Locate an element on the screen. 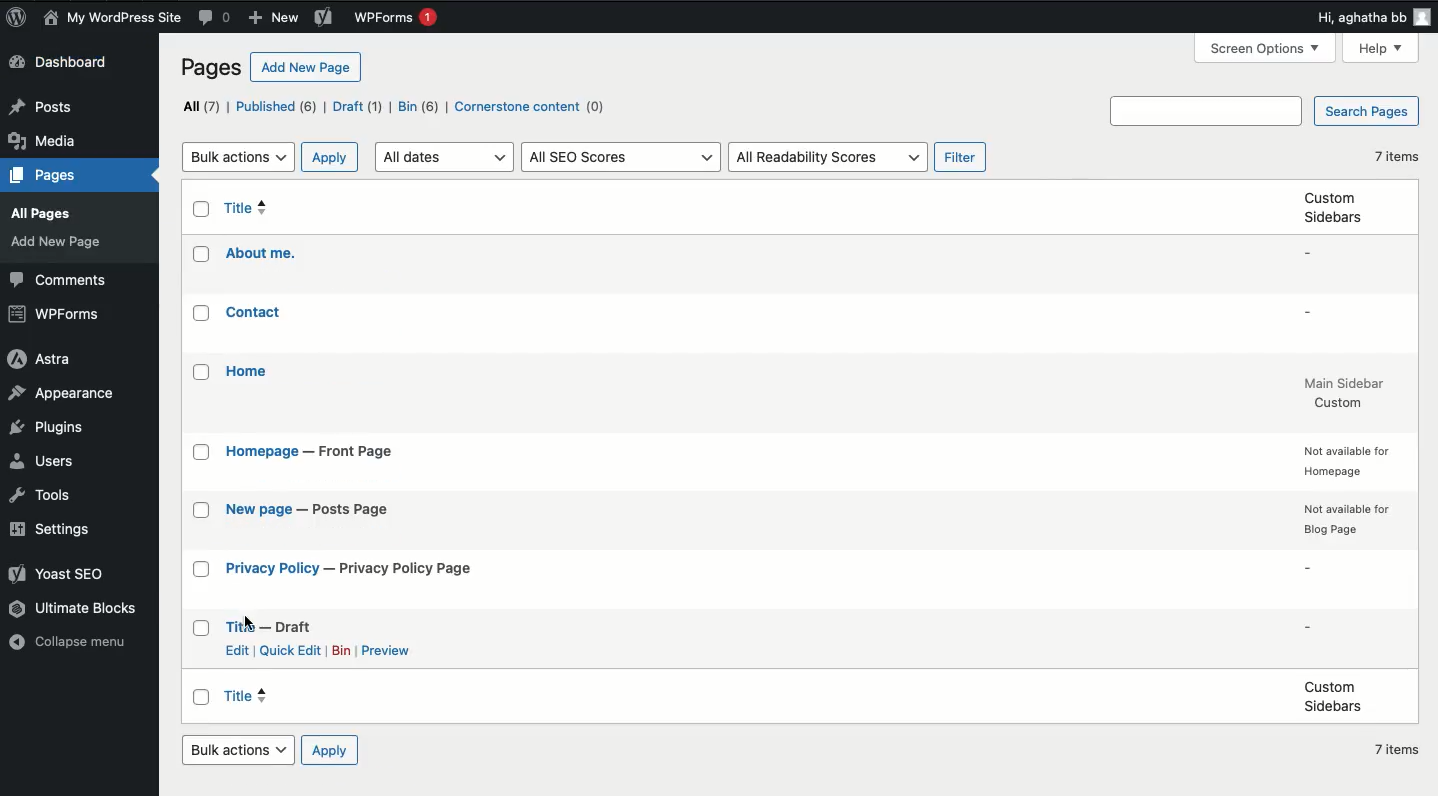  Title is located at coordinates (270, 627).